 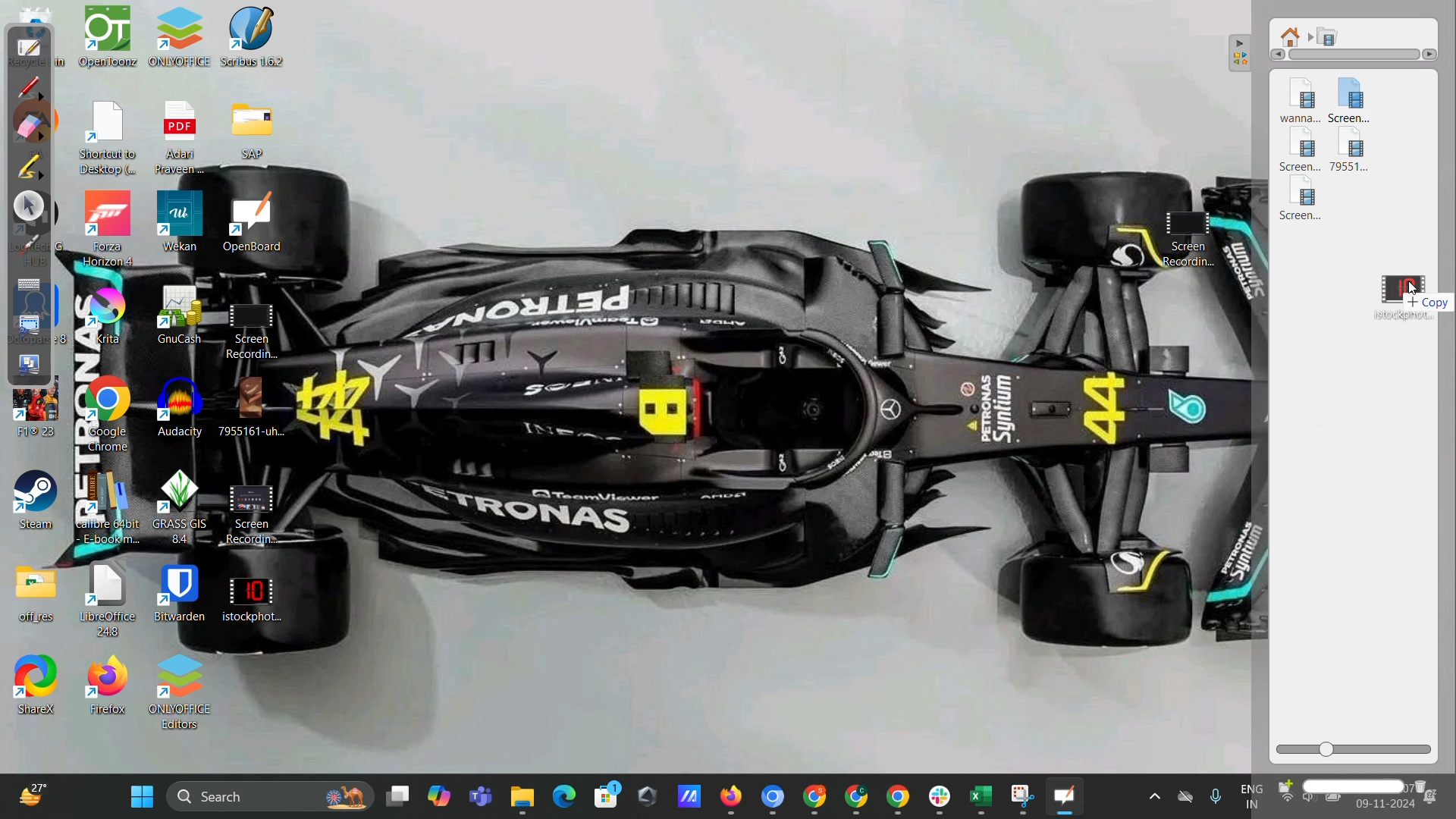 I want to click on Forza Horizon 4, so click(x=109, y=229).